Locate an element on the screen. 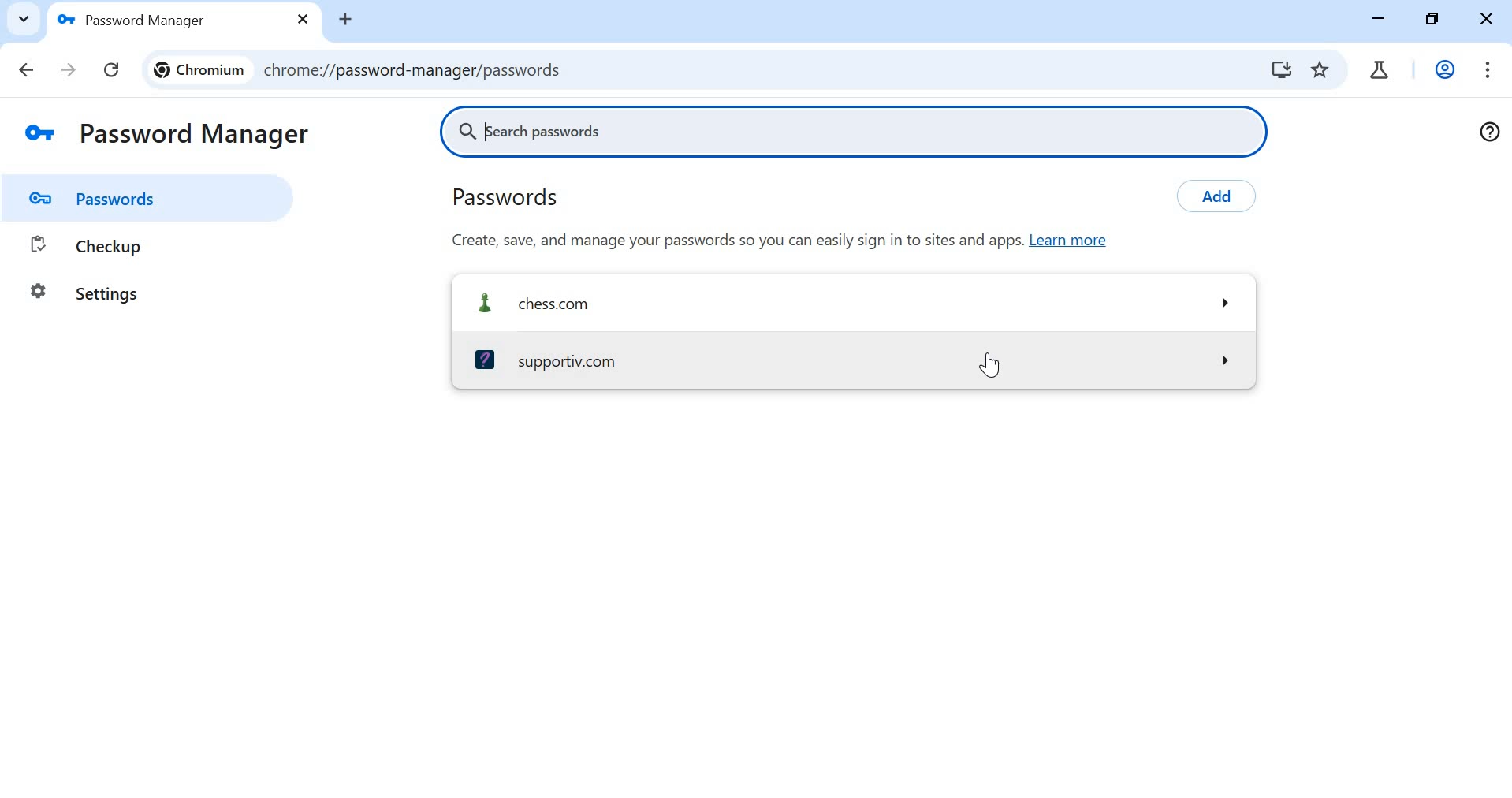 This screenshot has width=1512, height=798. checkup is located at coordinates (139, 244).